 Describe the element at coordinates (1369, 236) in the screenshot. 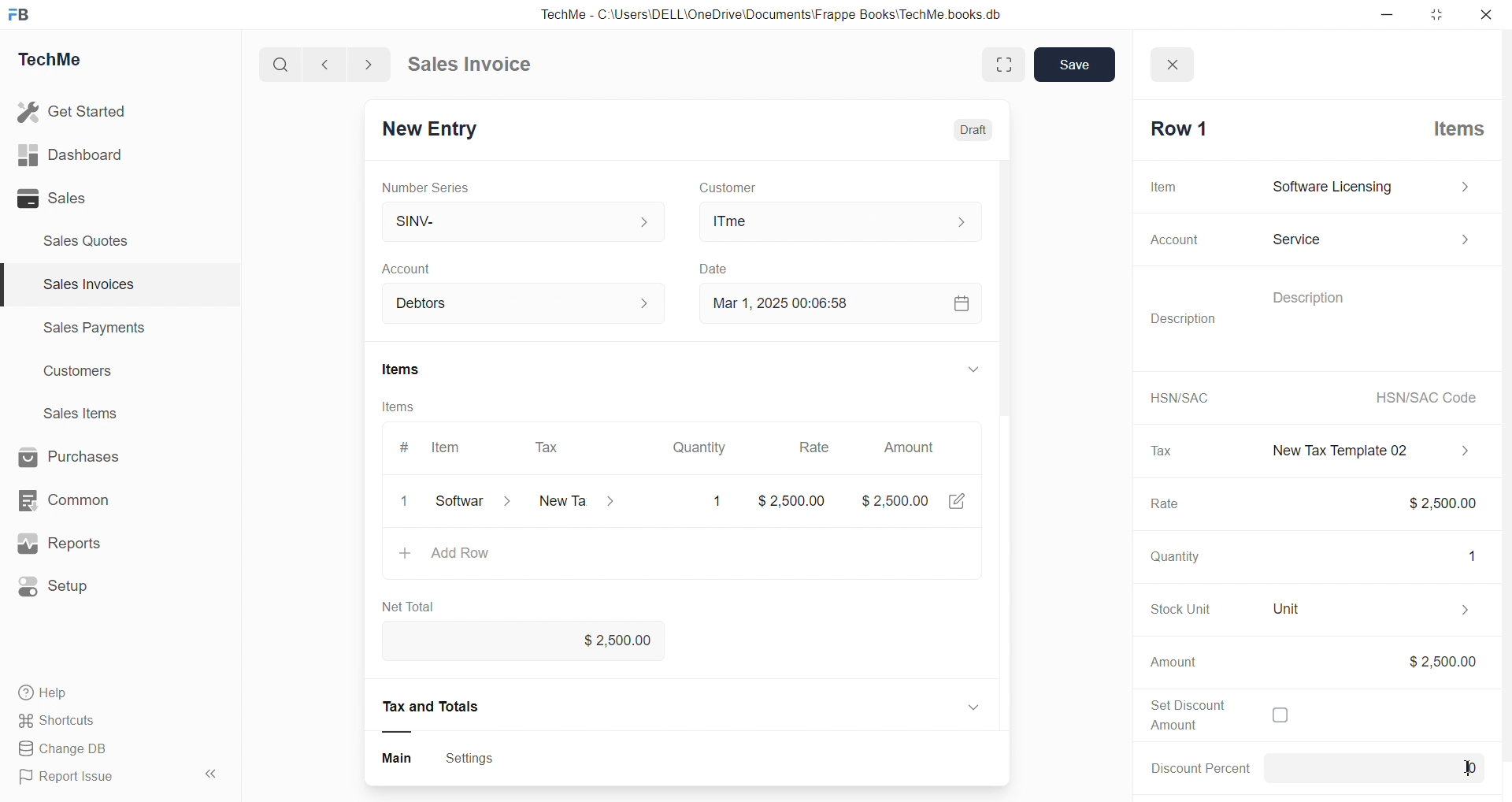

I see `Service >` at that location.